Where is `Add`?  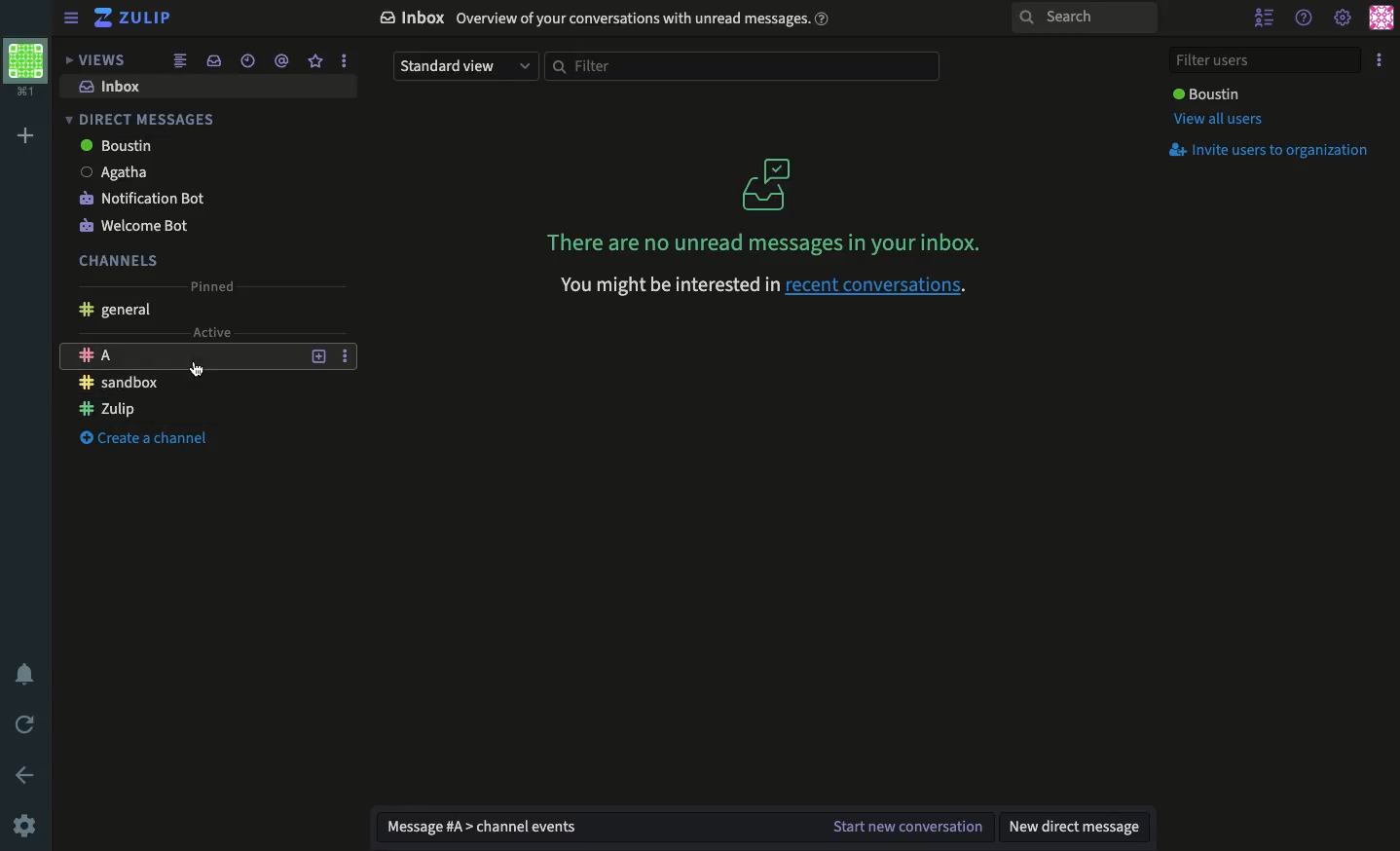 Add is located at coordinates (29, 135).